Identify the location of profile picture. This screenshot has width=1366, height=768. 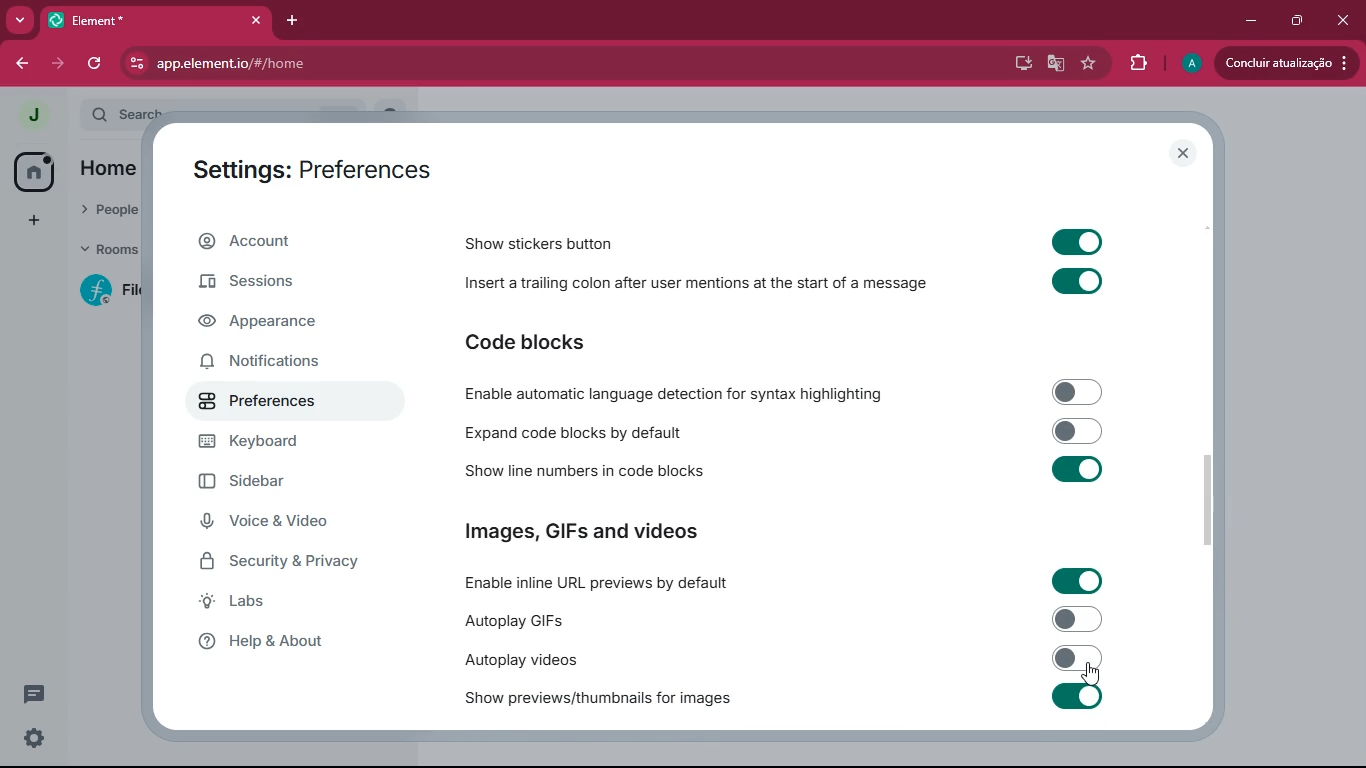
(34, 114).